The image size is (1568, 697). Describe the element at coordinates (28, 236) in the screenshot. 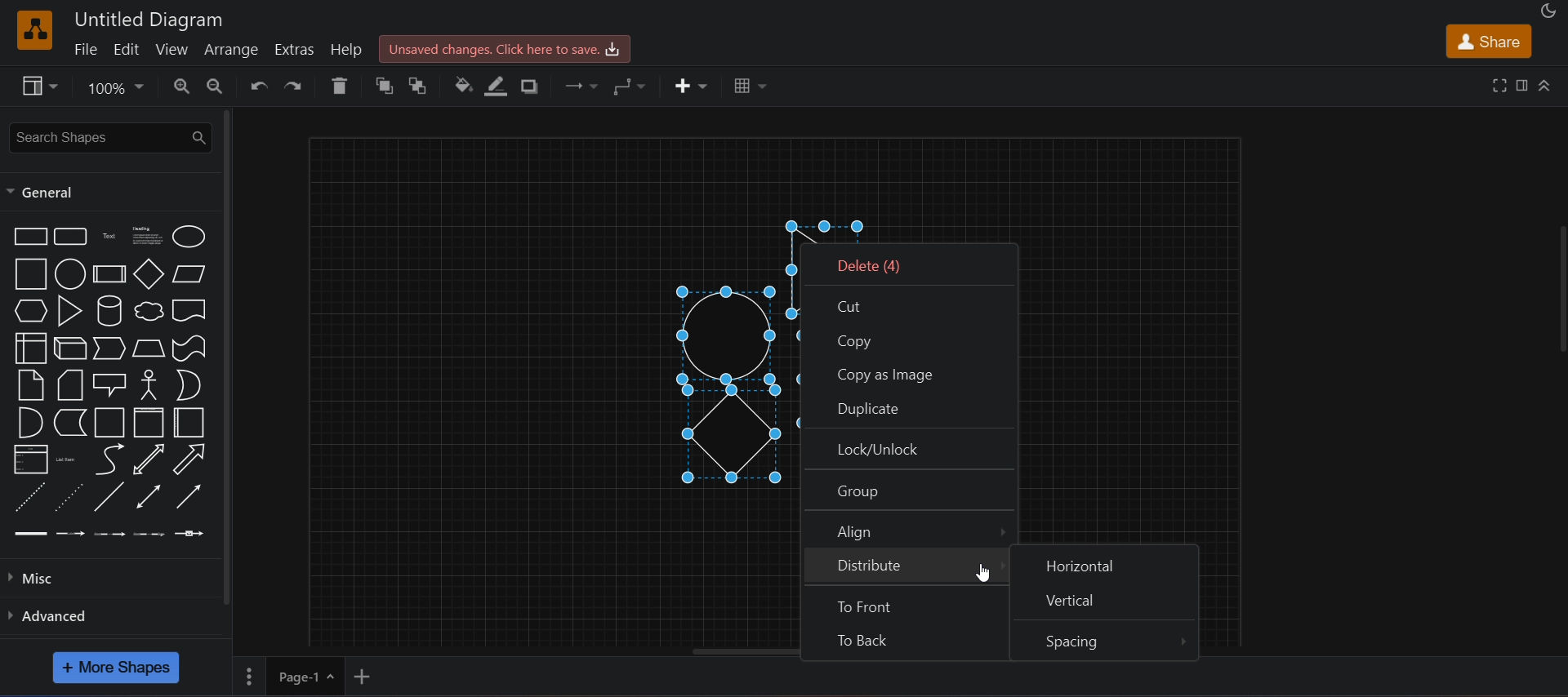

I see `rectangle` at that location.